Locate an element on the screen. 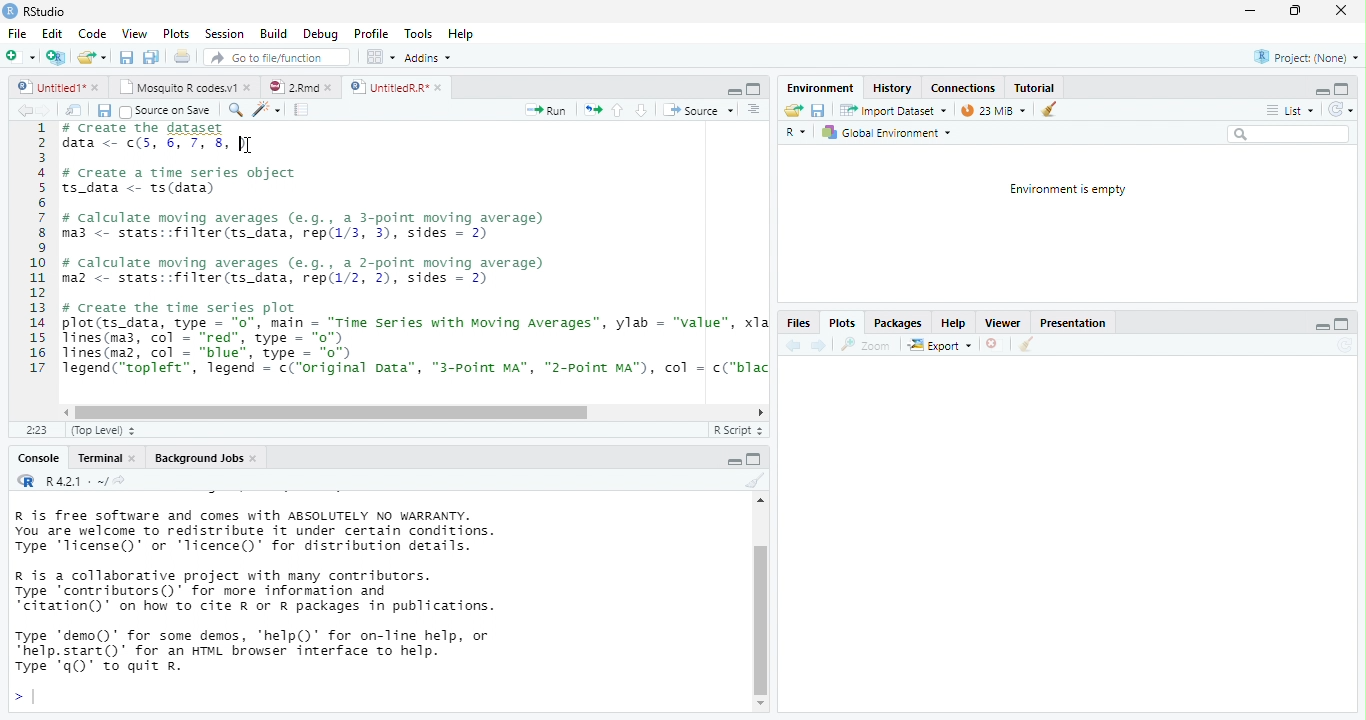 This screenshot has height=720, width=1366. zoom is located at coordinates (869, 345).